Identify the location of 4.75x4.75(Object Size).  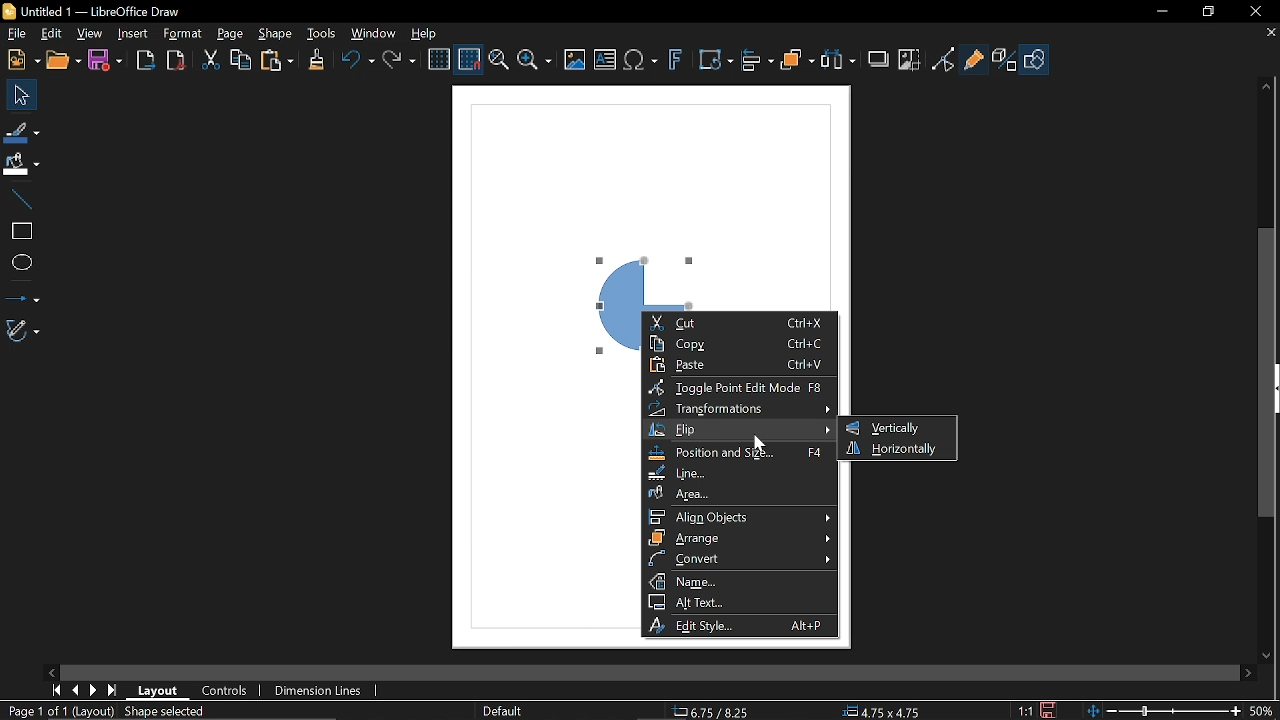
(885, 710).